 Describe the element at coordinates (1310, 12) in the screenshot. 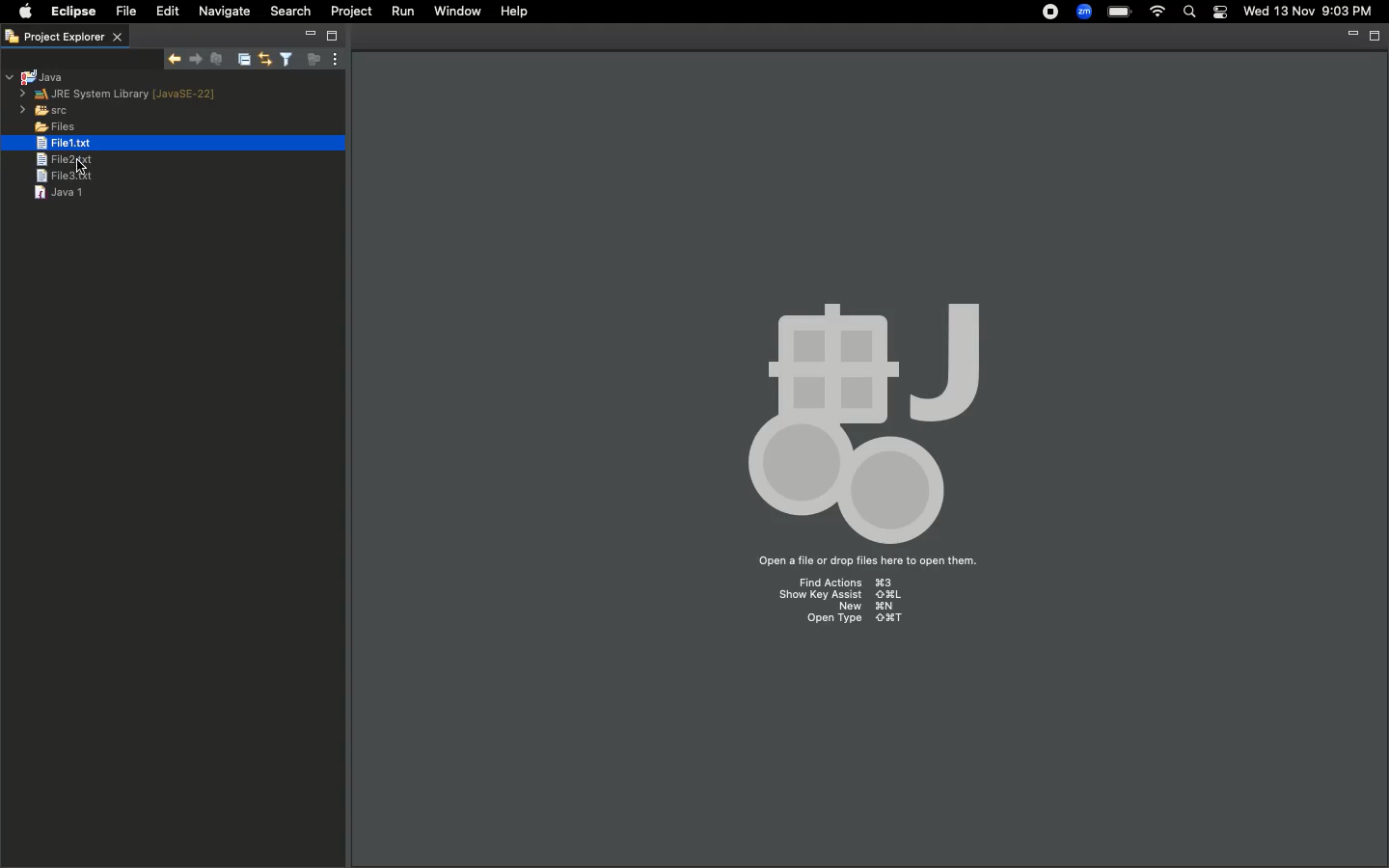

I see `Date/time` at that location.